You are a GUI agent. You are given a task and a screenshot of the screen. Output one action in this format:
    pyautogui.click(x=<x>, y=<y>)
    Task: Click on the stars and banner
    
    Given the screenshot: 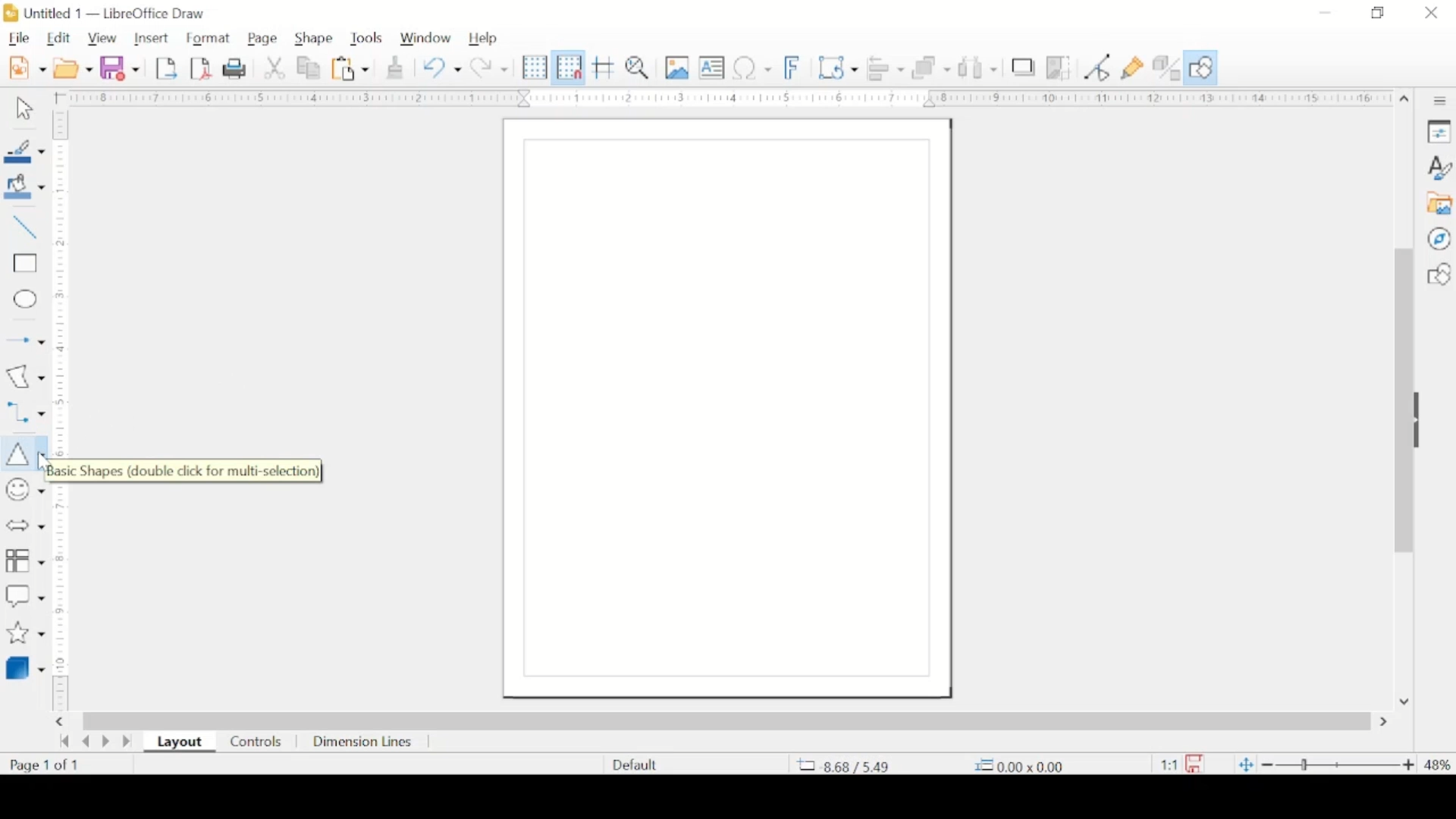 What is the action you would take?
    pyautogui.click(x=24, y=632)
    